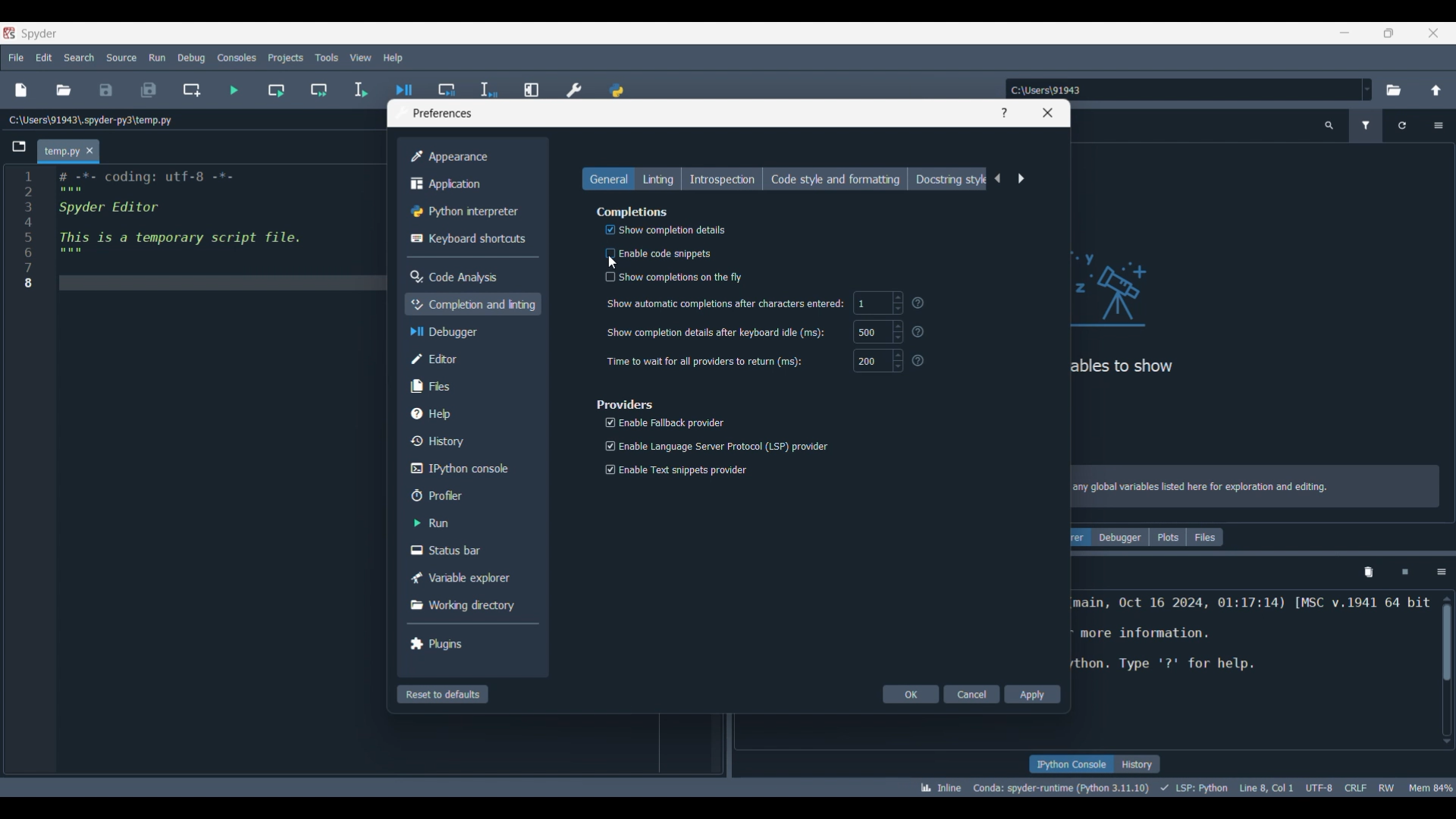 Image resolution: width=1456 pixels, height=819 pixels. I want to click on Maximize current line, so click(533, 84).